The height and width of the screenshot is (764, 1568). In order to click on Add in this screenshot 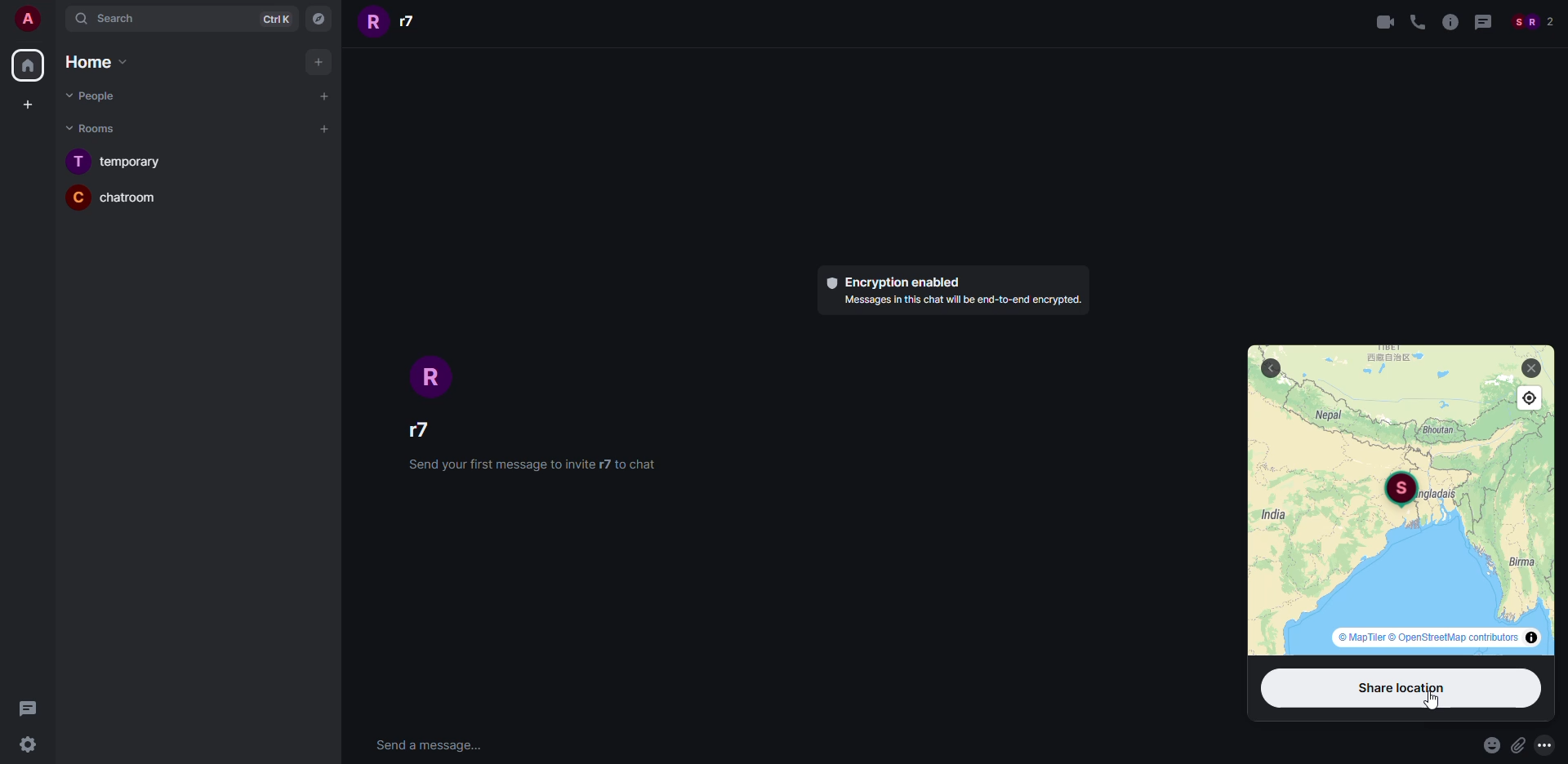, I will do `click(319, 60)`.